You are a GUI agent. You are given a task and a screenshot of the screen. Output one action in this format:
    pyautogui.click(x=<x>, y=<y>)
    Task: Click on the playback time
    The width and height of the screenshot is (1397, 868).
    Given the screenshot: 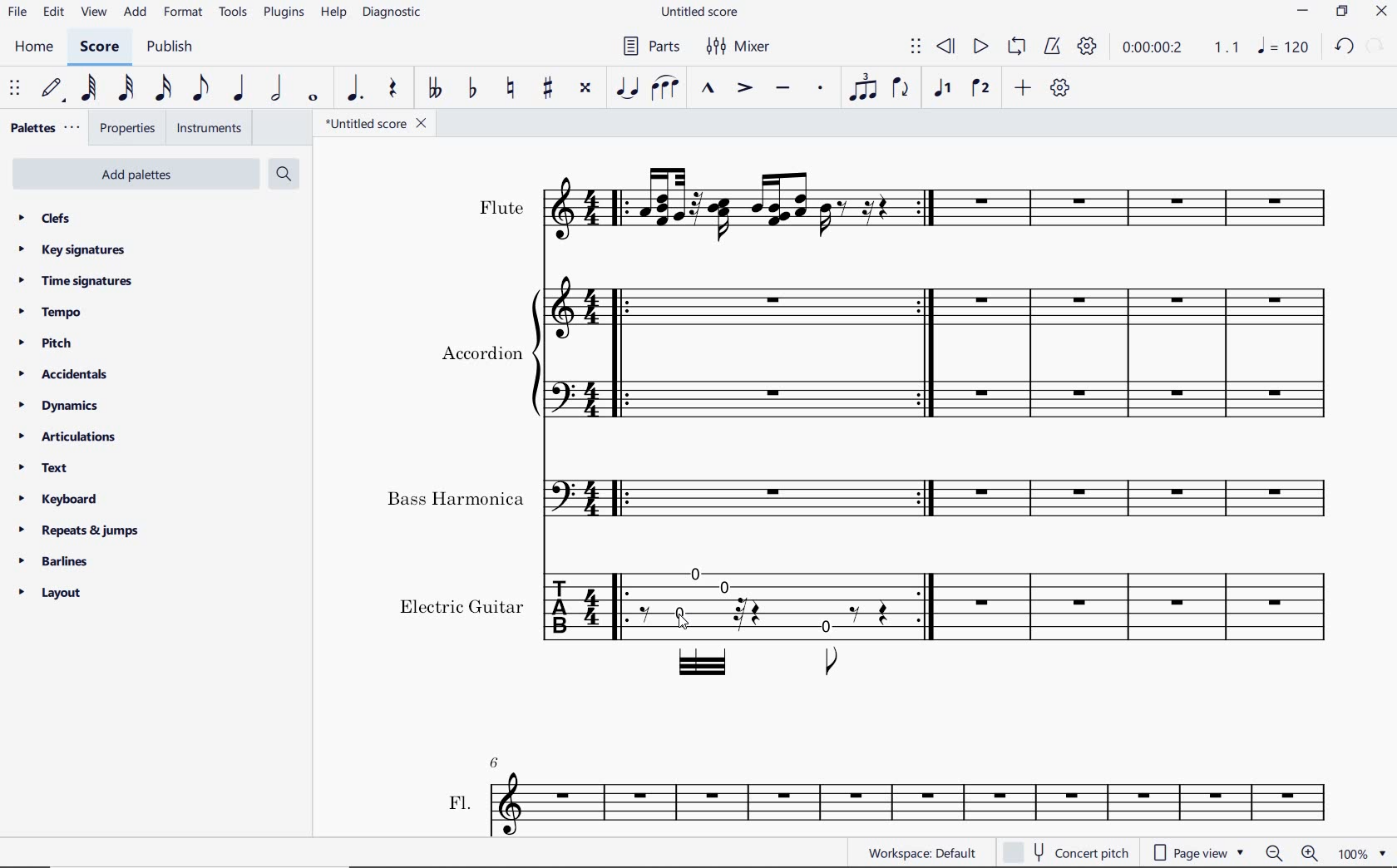 What is the action you would take?
    pyautogui.click(x=1155, y=50)
    